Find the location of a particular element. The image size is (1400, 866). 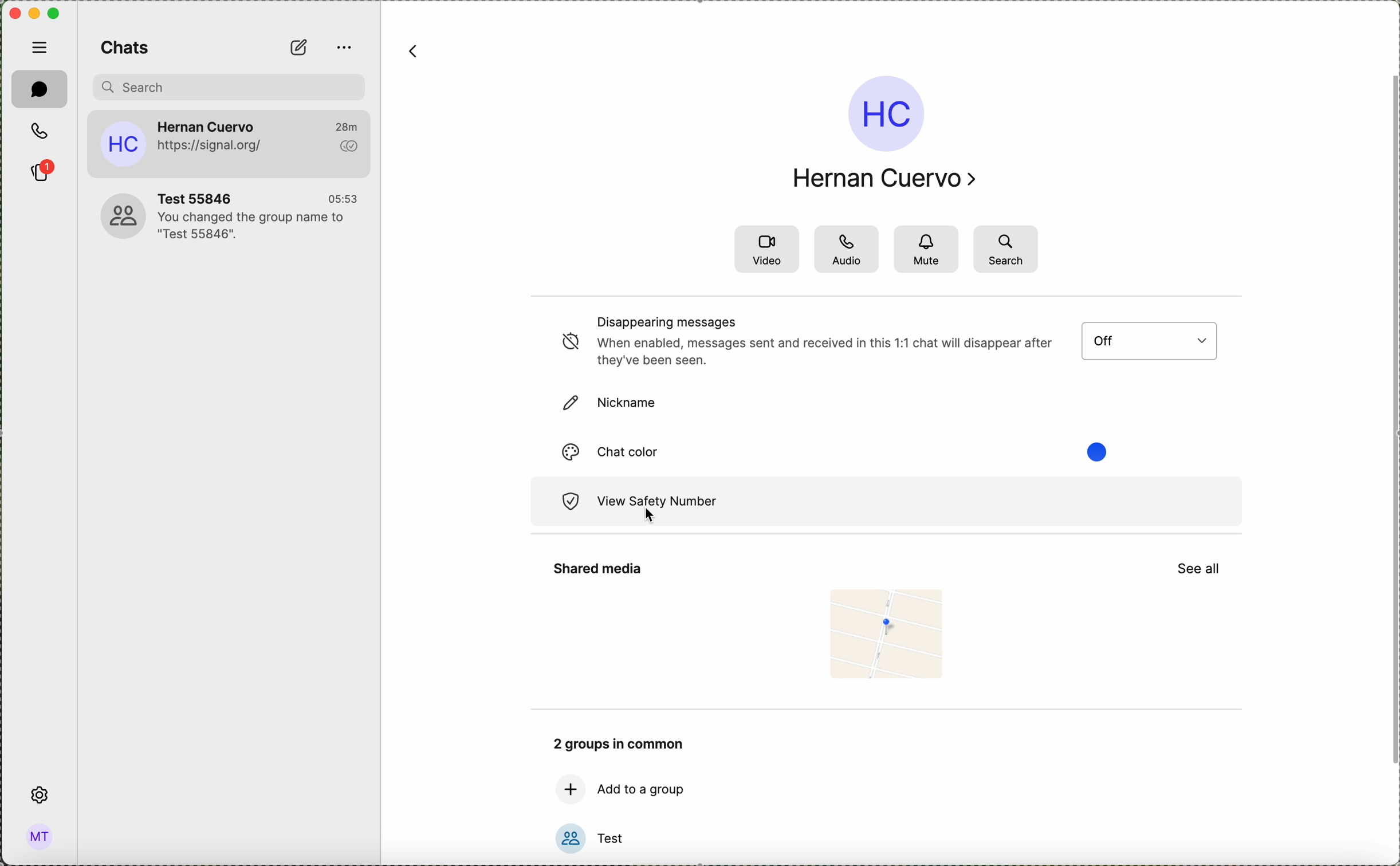

Shared media is located at coordinates (595, 570).